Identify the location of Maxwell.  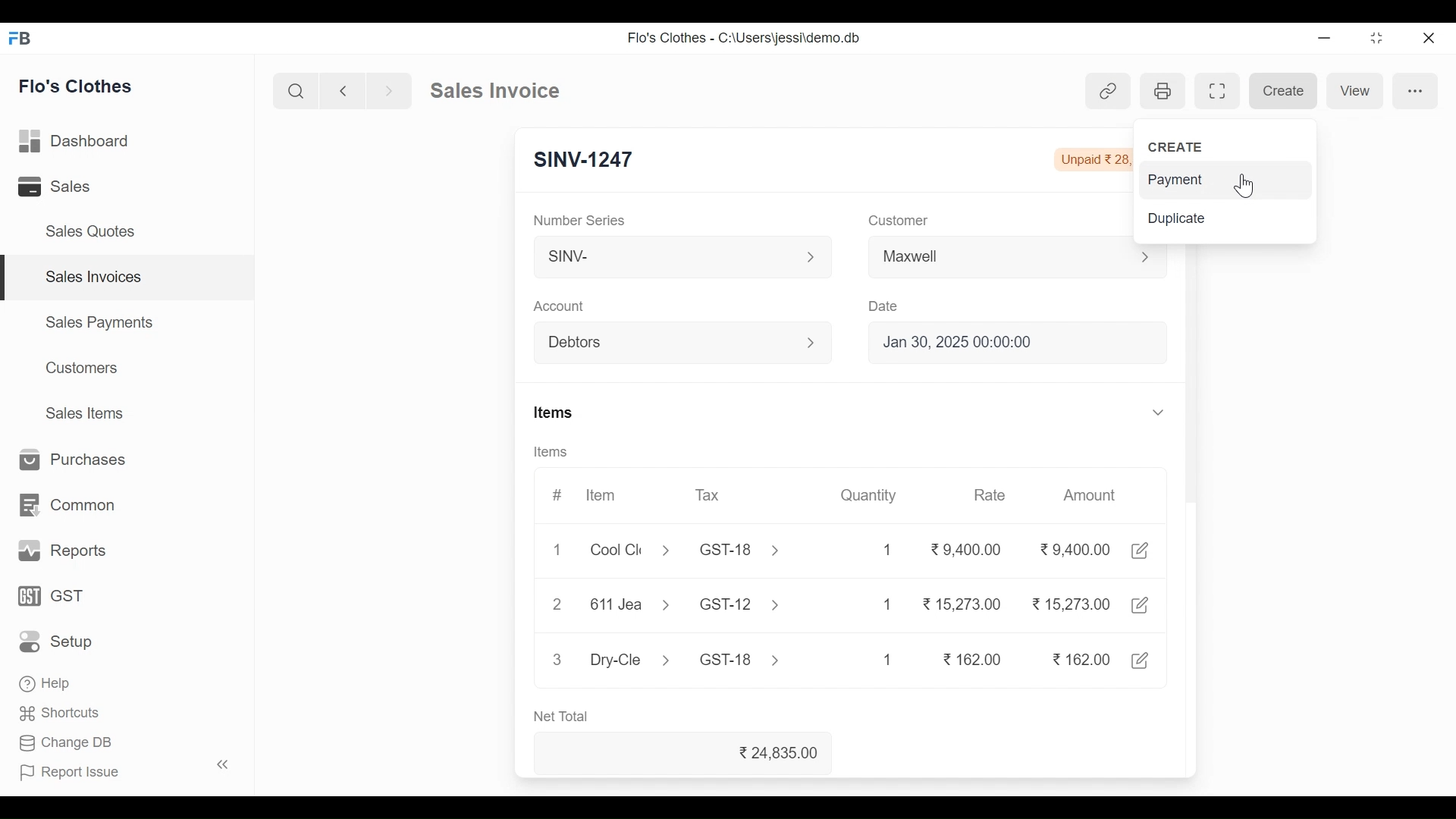
(999, 259).